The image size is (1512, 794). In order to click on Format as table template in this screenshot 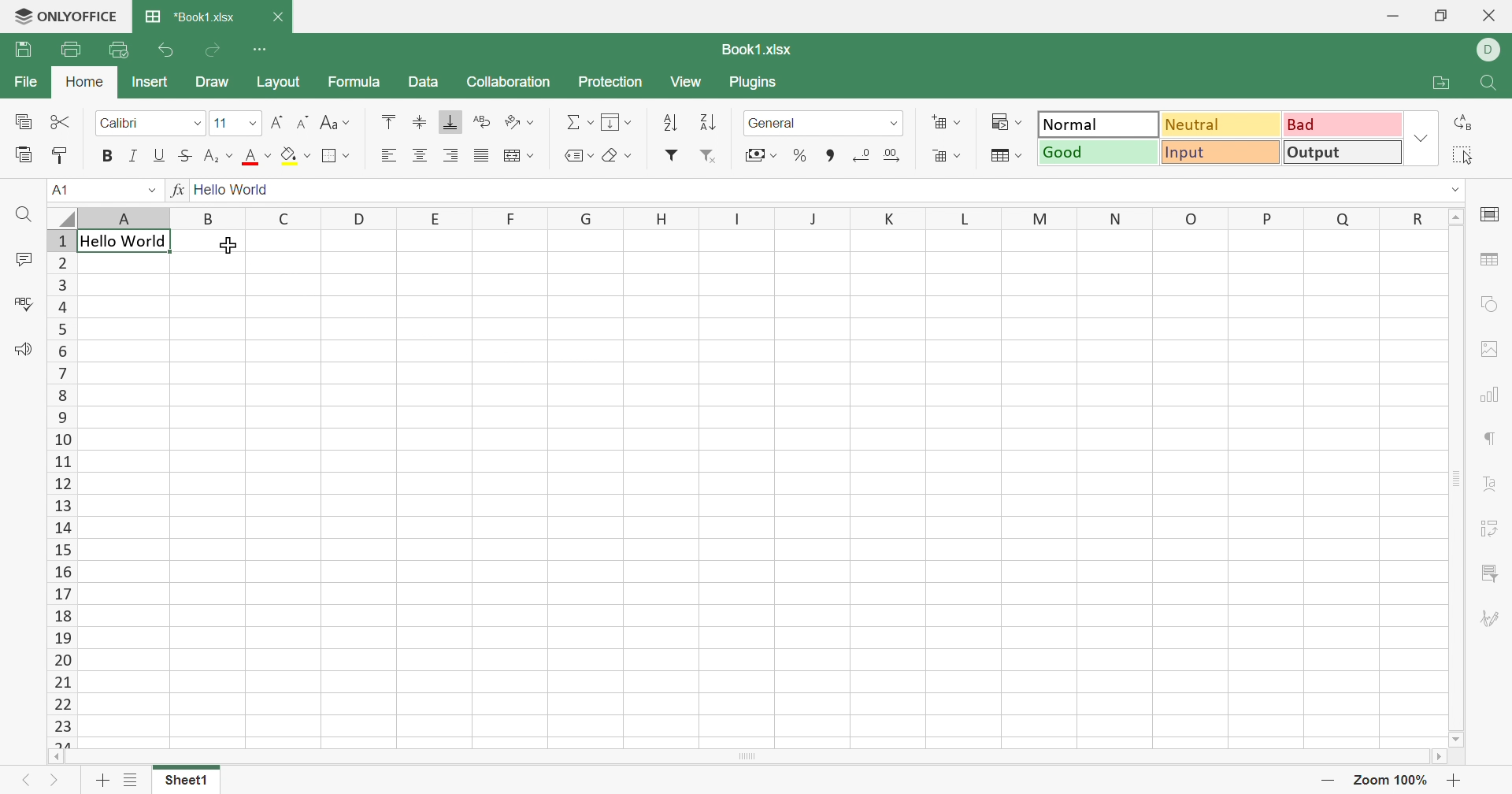, I will do `click(1009, 155)`.